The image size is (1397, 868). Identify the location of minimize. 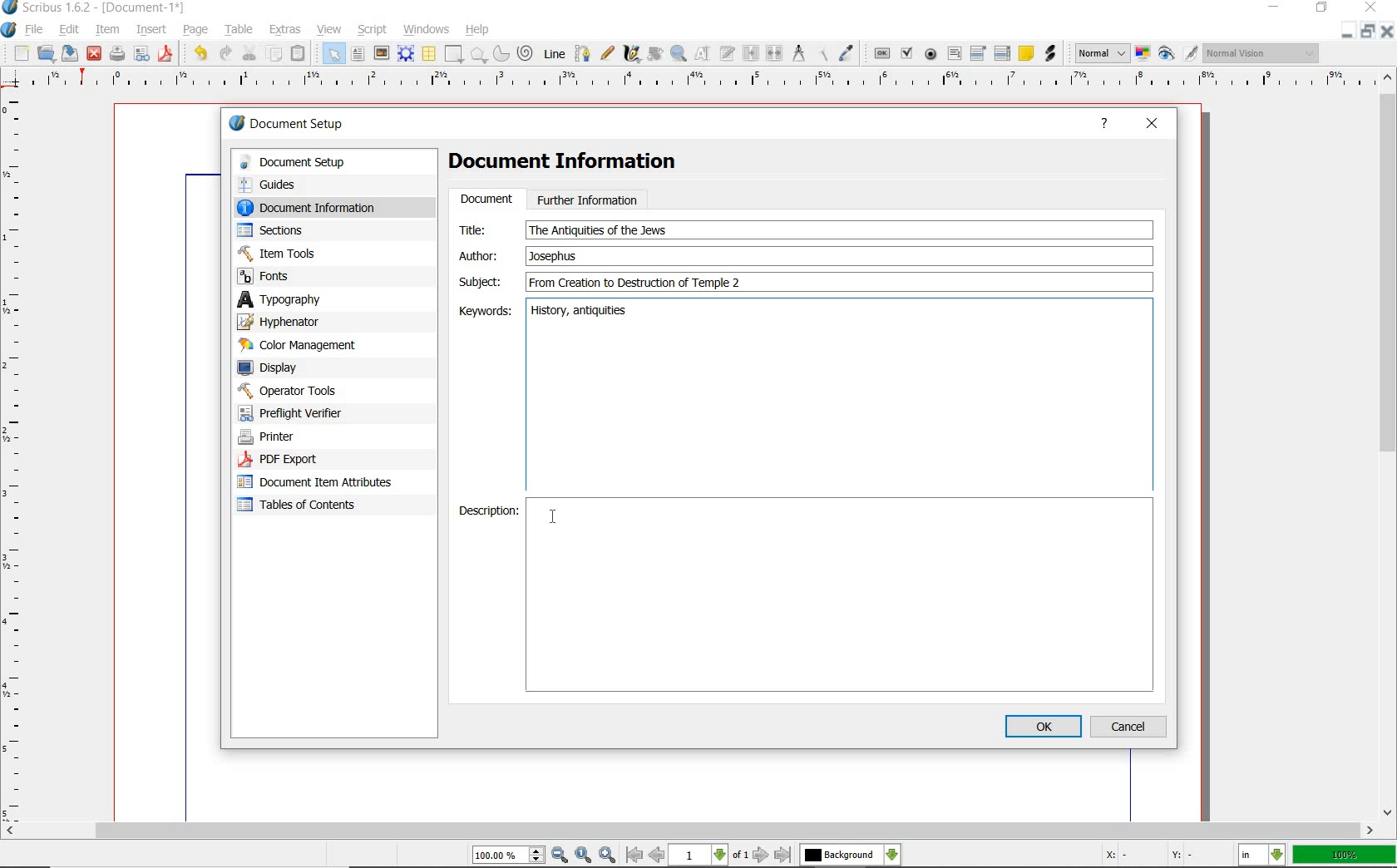
(1272, 7).